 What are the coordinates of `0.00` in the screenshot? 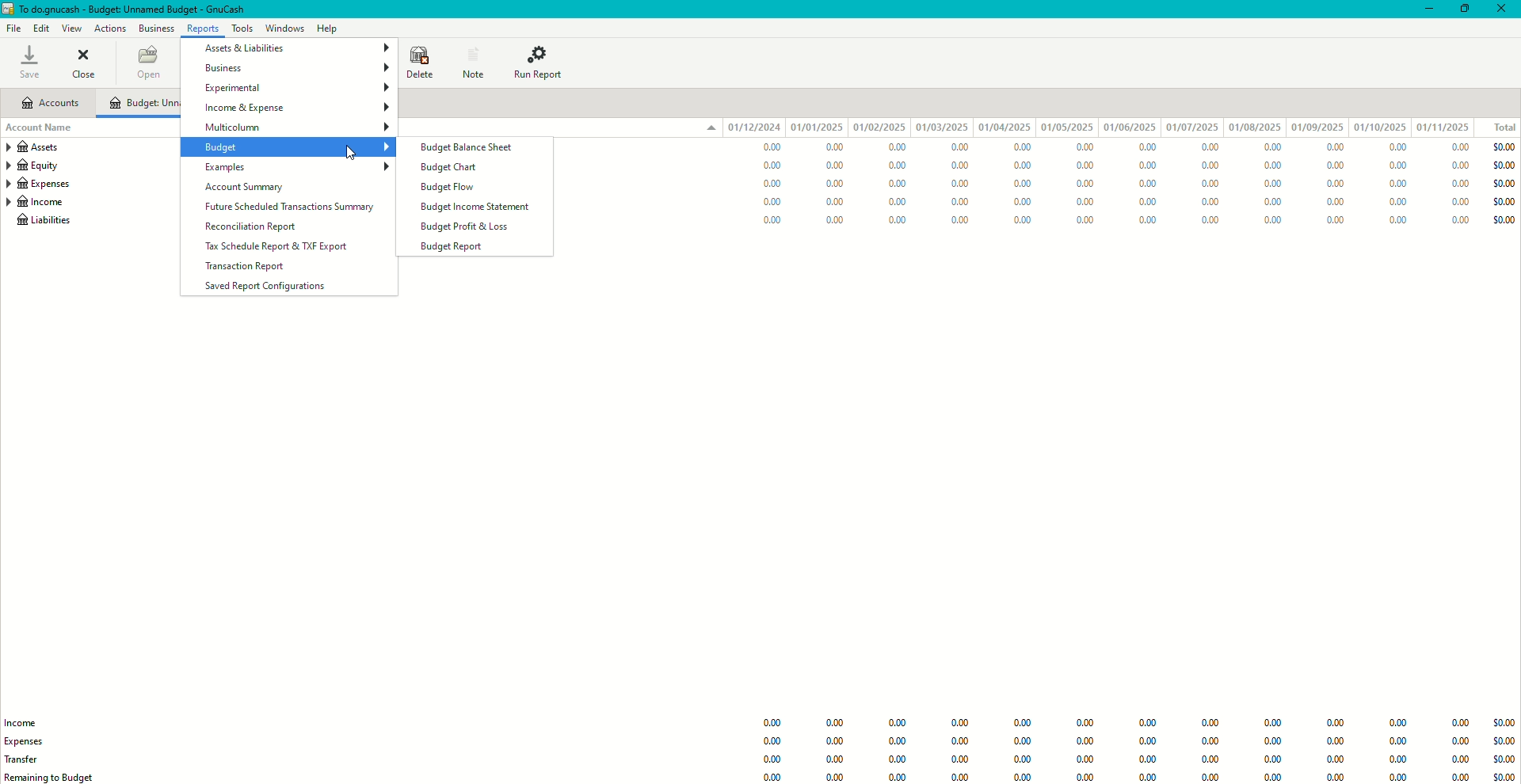 It's located at (1210, 724).